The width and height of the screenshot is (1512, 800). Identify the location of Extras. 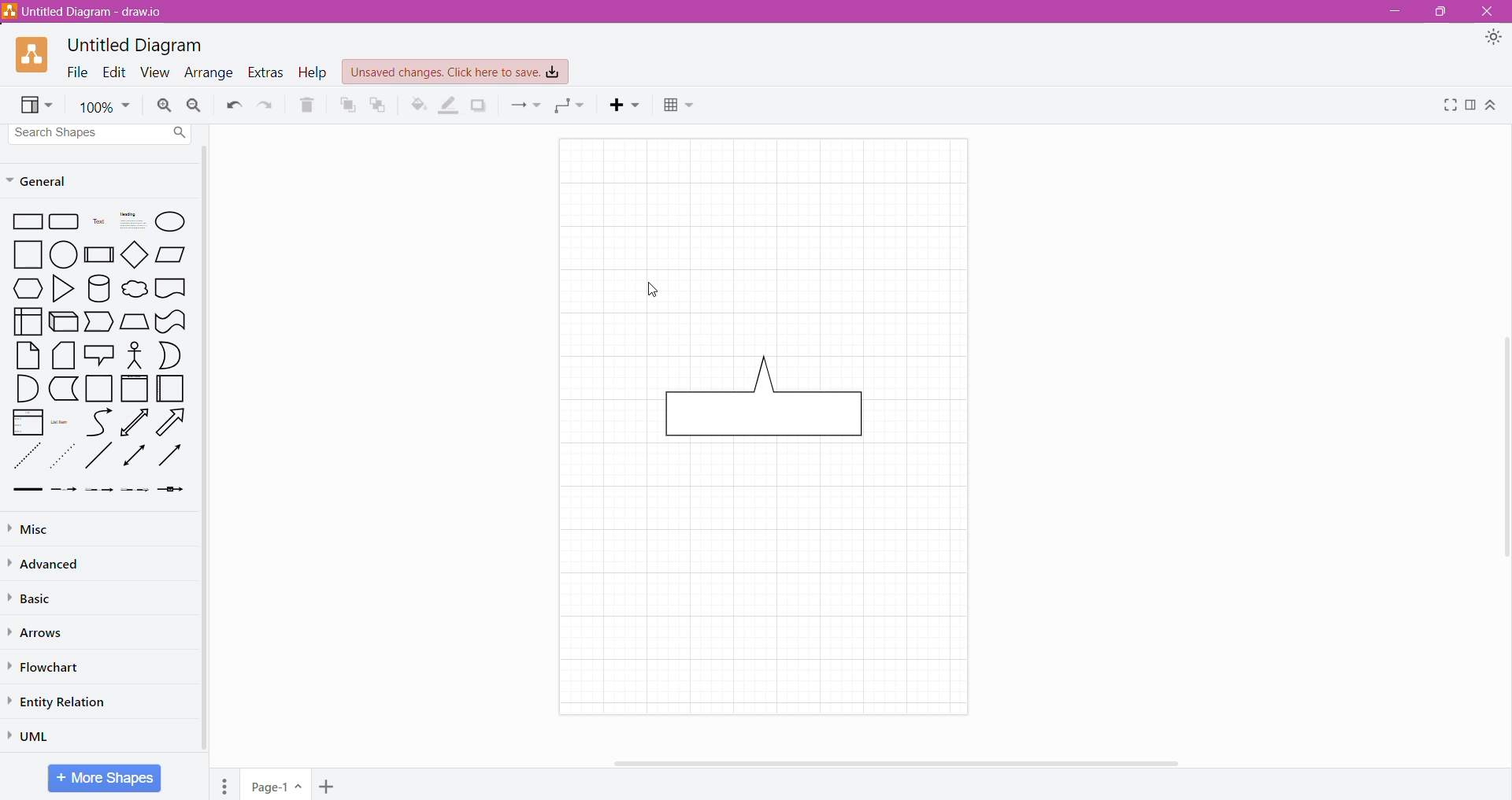
(267, 73).